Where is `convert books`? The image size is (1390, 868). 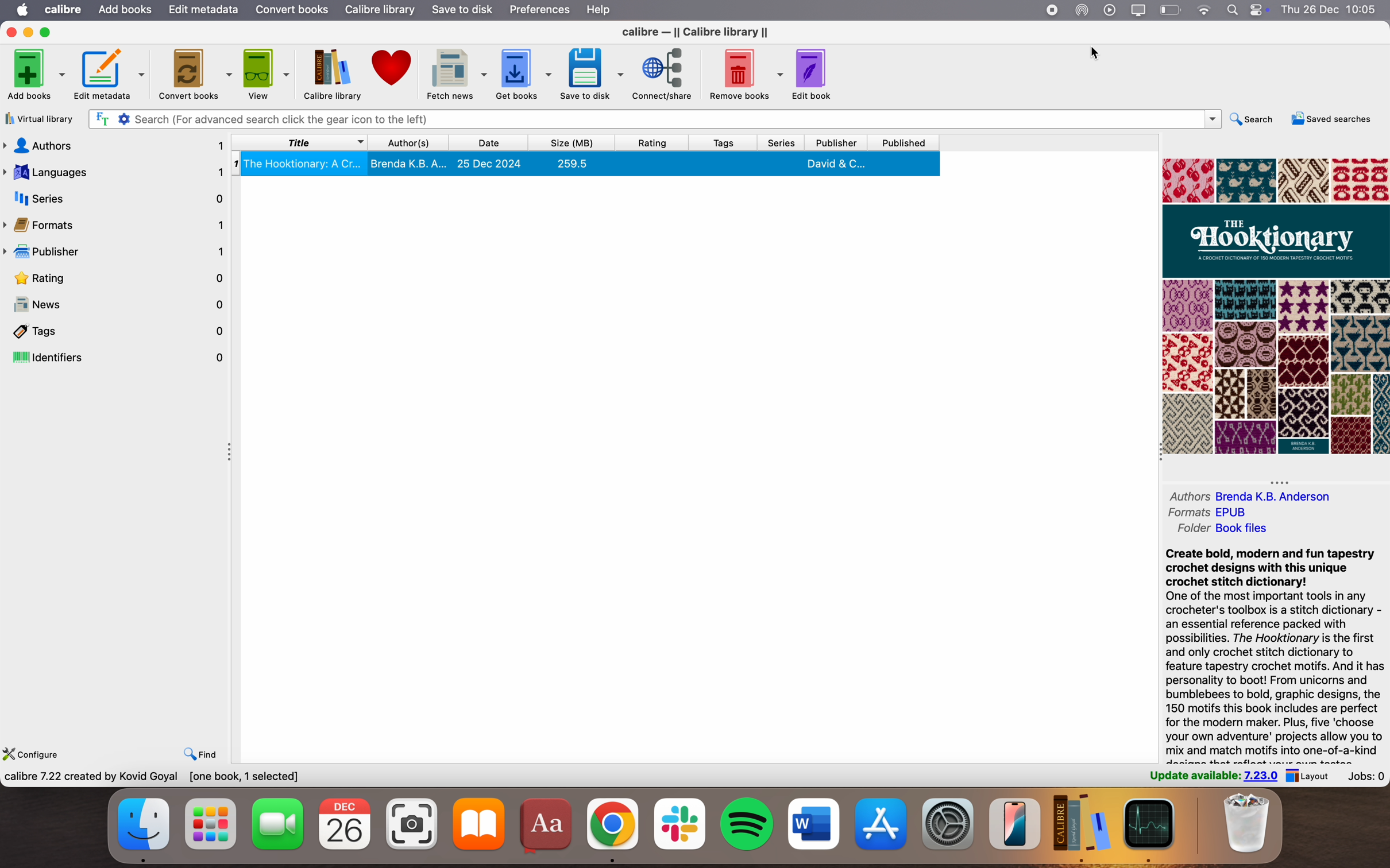
convert books is located at coordinates (195, 75).